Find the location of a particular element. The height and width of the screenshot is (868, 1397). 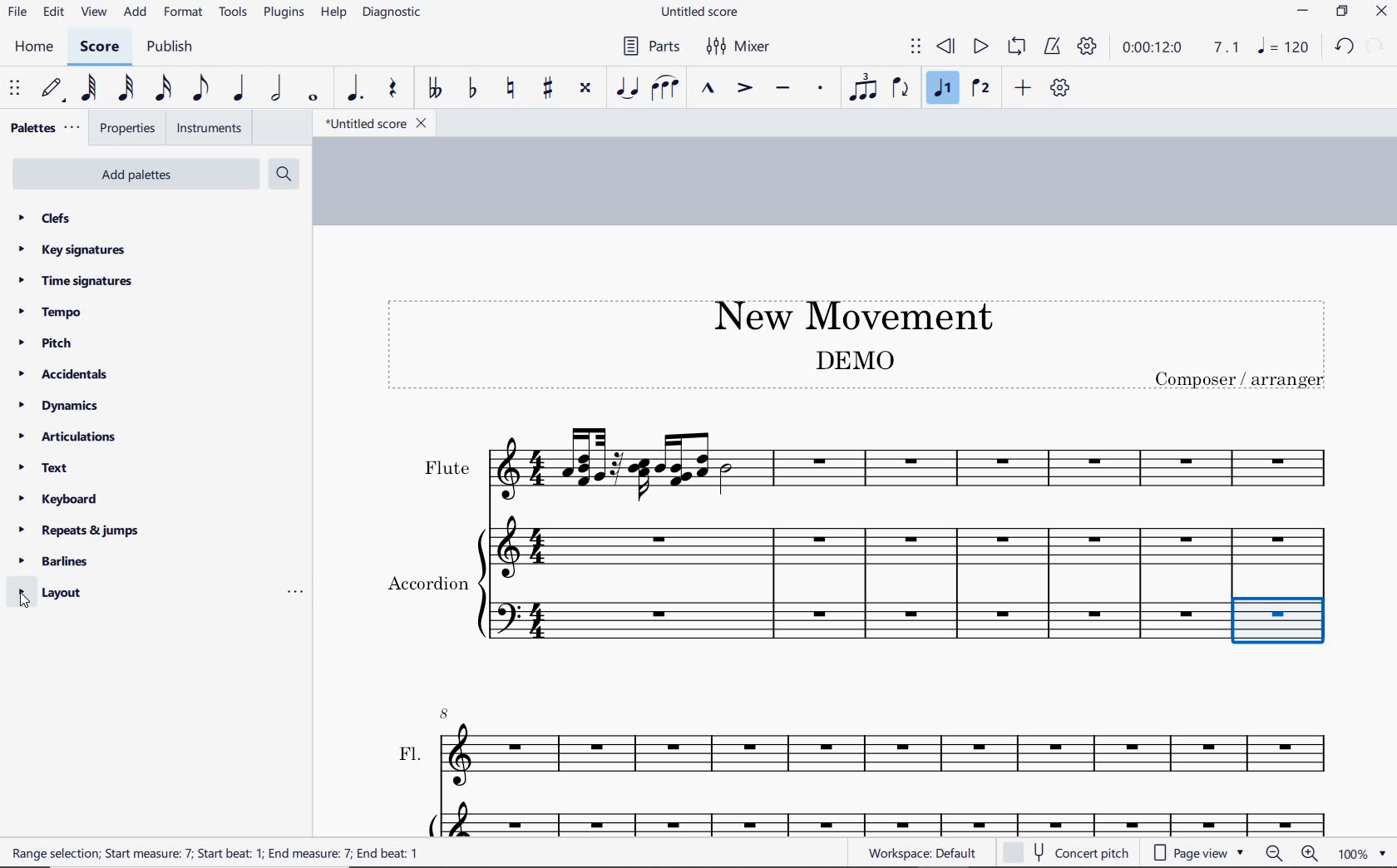

tools is located at coordinates (234, 12).